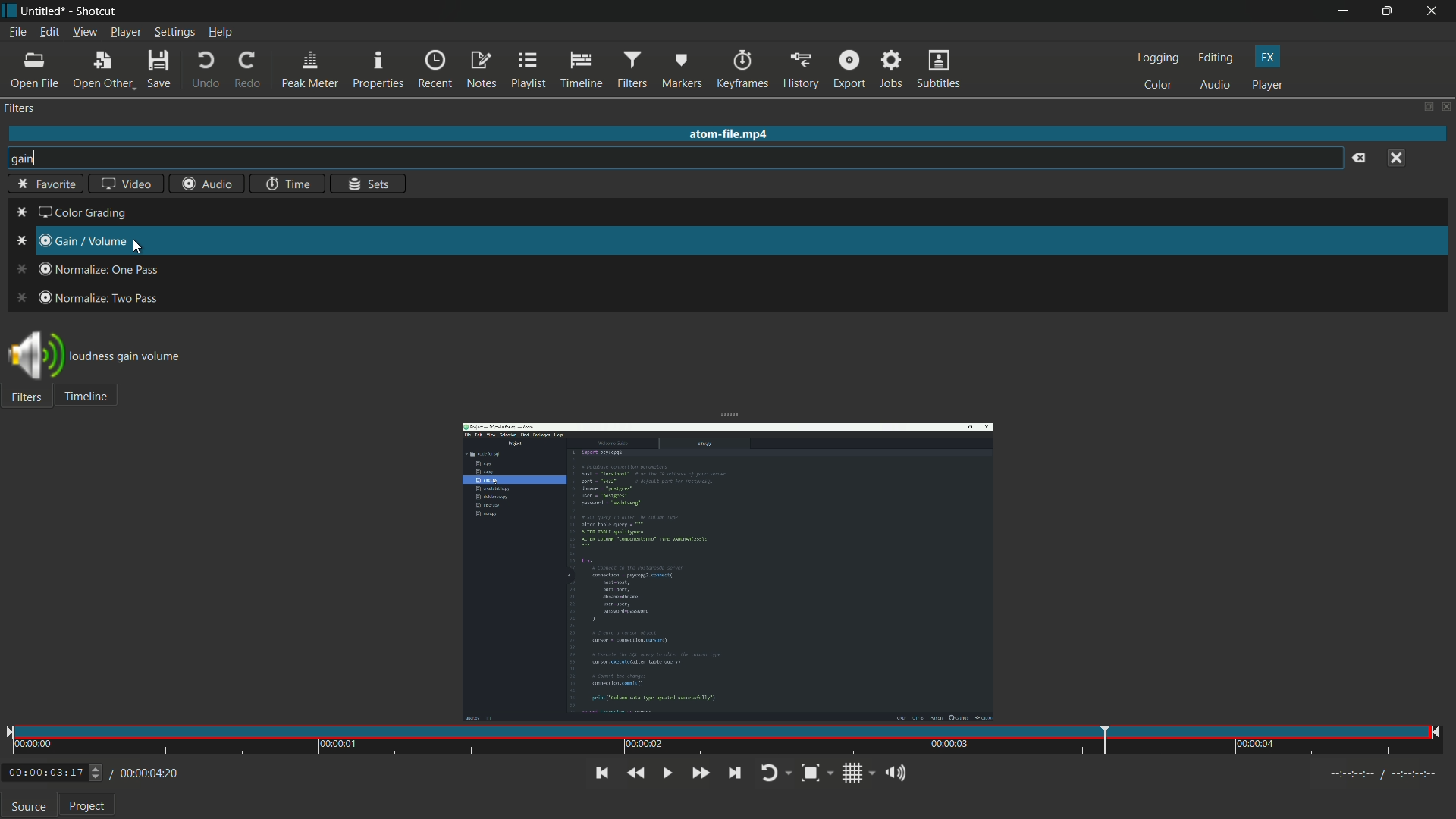 The width and height of the screenshot is (1456, 819). I want to click on skip to next point, so click(734, 773).